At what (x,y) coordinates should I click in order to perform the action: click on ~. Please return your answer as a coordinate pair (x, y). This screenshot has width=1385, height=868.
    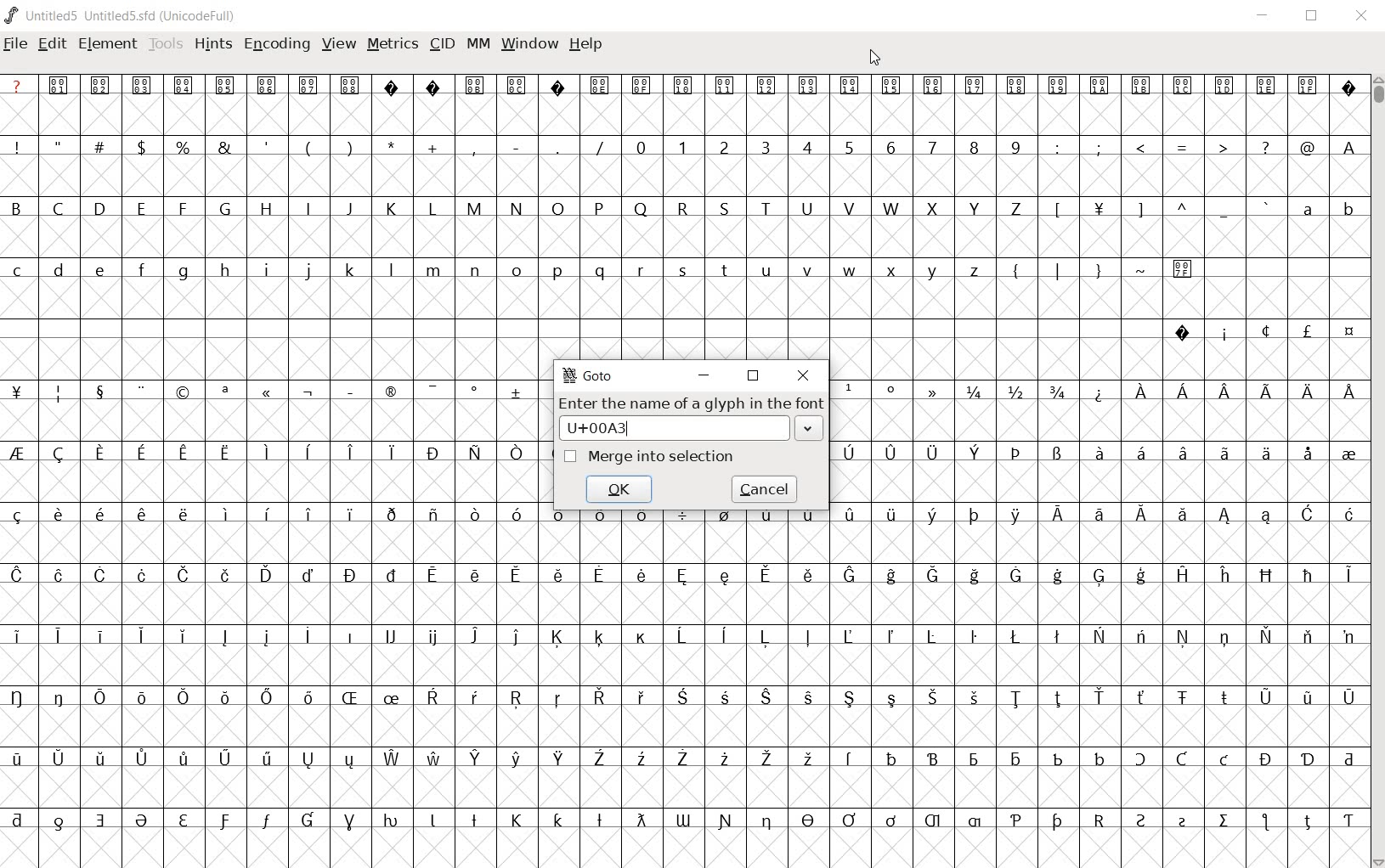
    Looking at the image, I should click on (1141, 268).